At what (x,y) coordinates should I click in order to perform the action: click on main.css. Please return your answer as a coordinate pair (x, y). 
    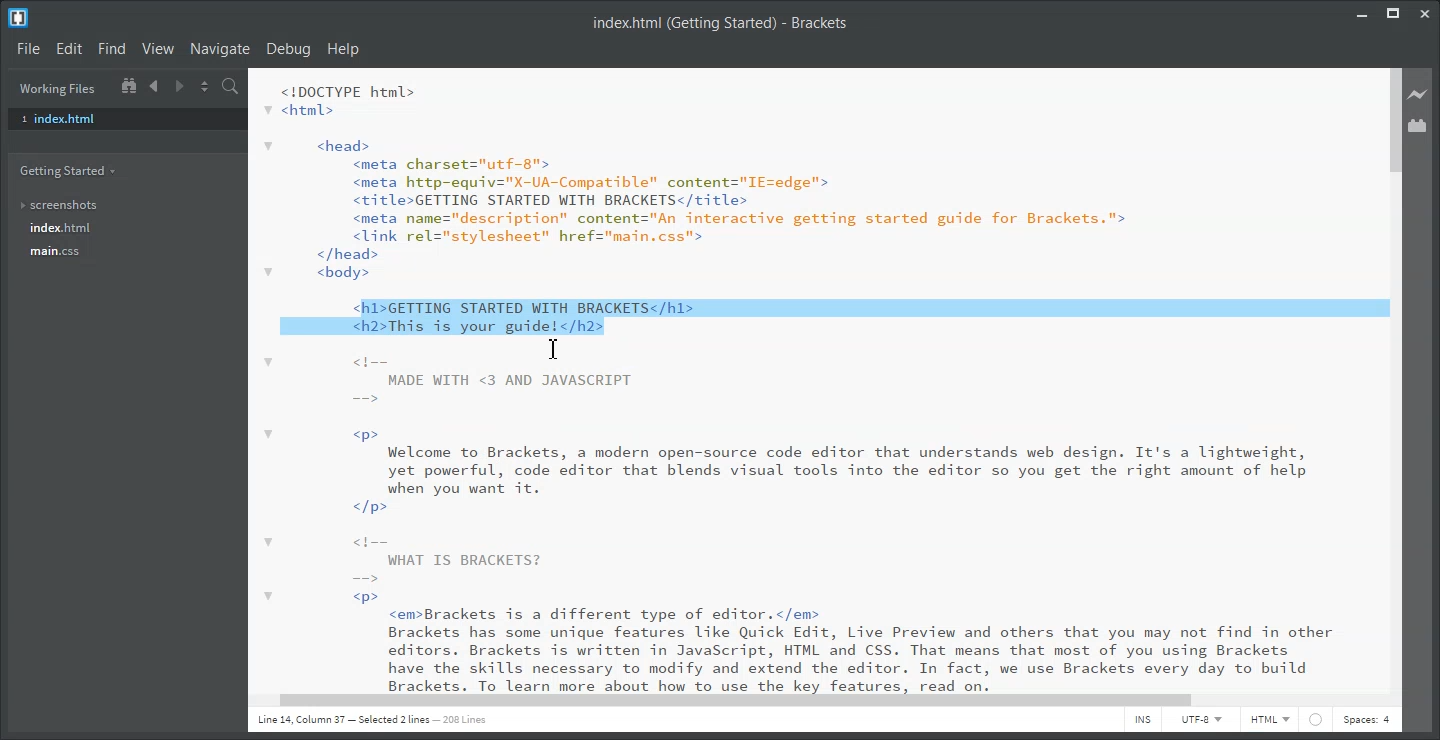
    Looking at the image, I should click on (58, 252).